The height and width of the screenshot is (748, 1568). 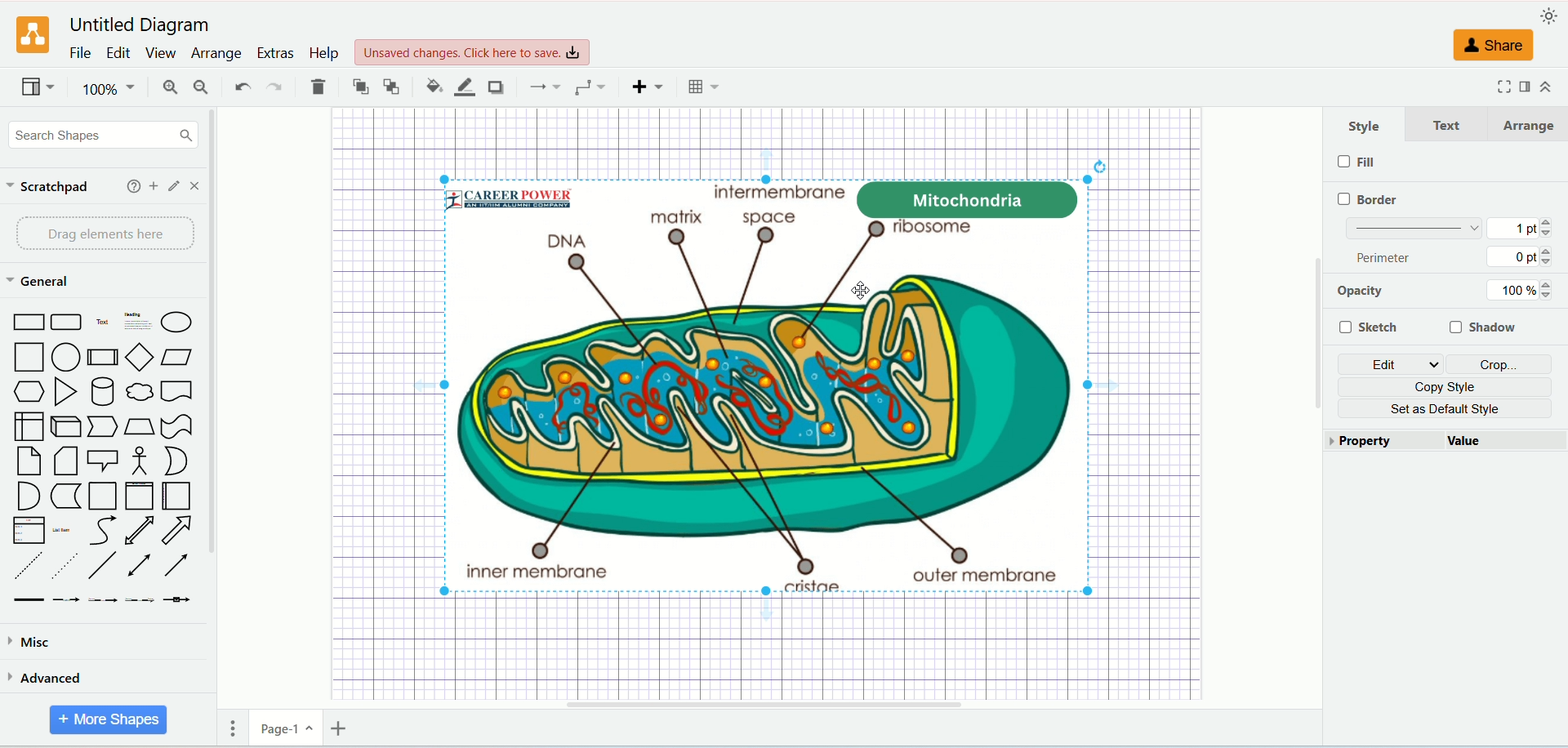 What do you see at coordinates (198, 186) in the screenshot?
I see `close` at bounding box center [198, 186].